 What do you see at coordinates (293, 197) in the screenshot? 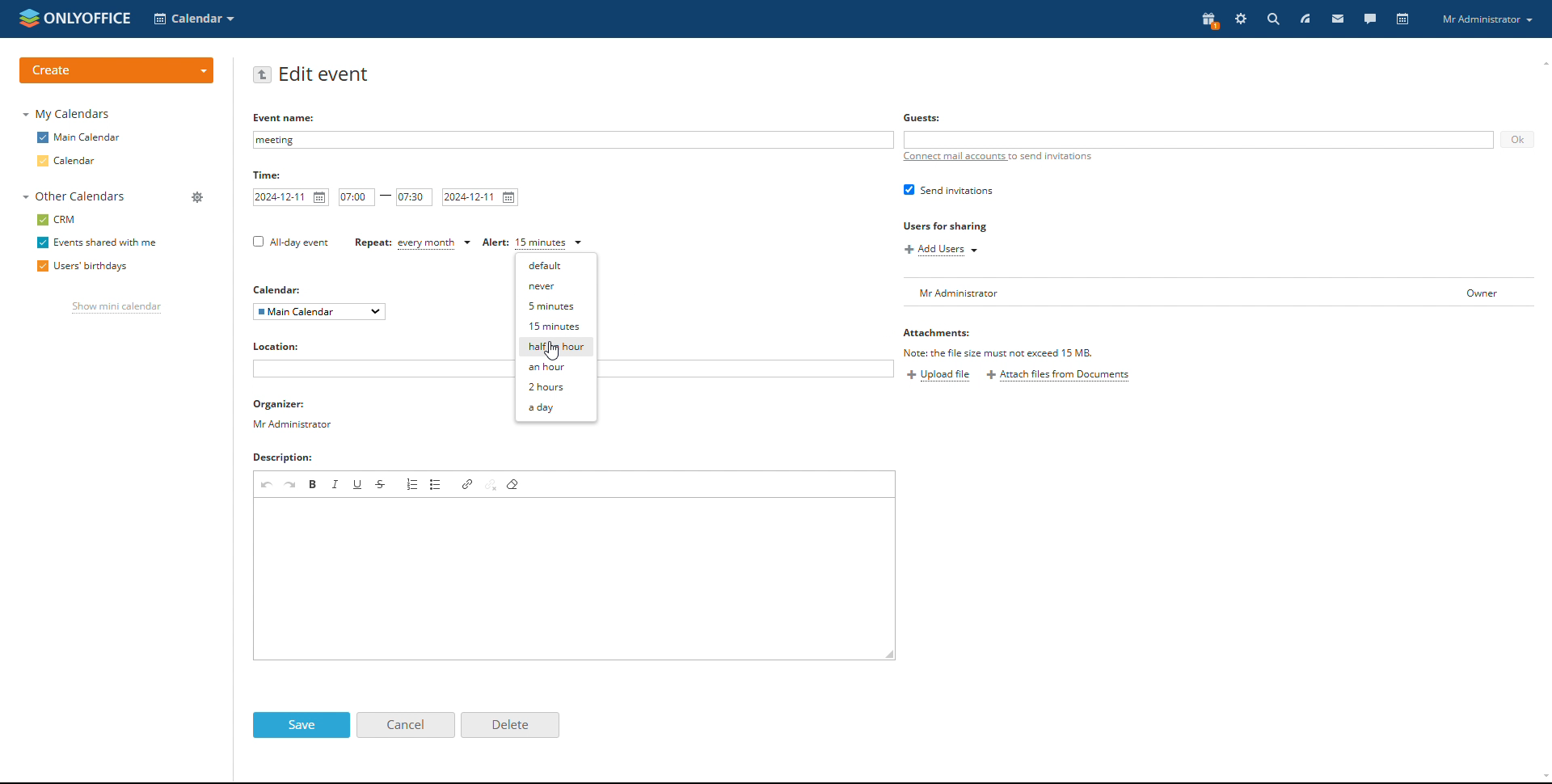
I see `start date` at bounding box center [293, 197].